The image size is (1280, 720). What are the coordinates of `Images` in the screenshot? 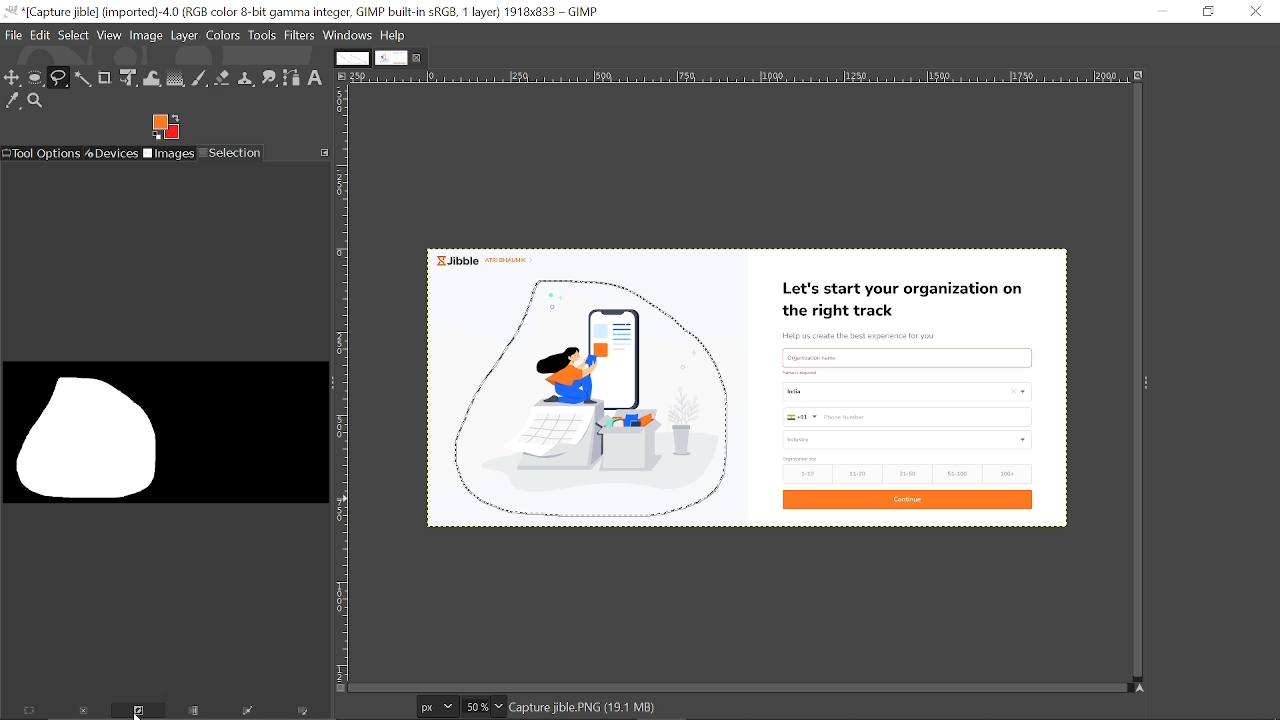 It's located at (170, 154).